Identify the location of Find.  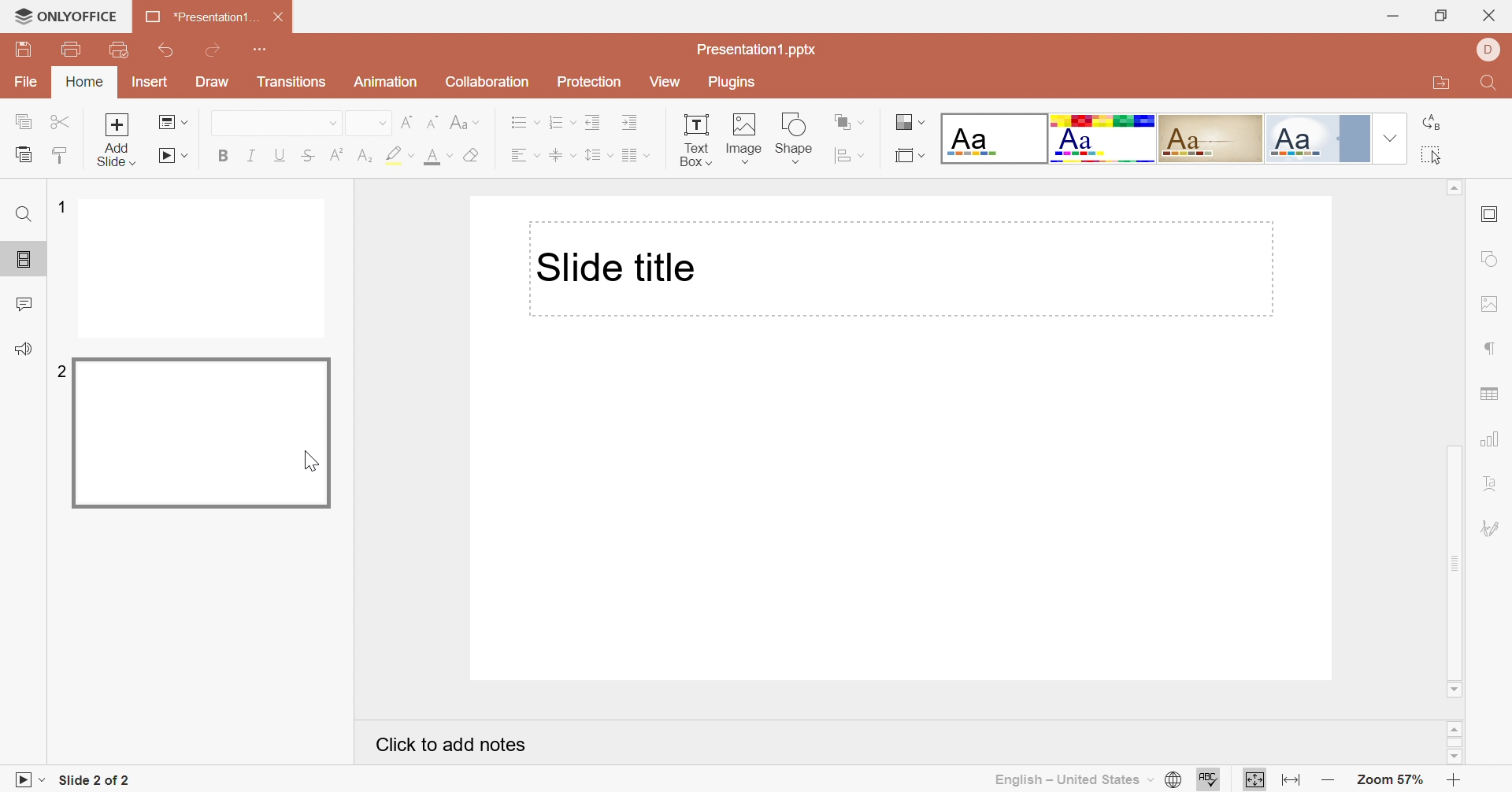
(1492, 82).